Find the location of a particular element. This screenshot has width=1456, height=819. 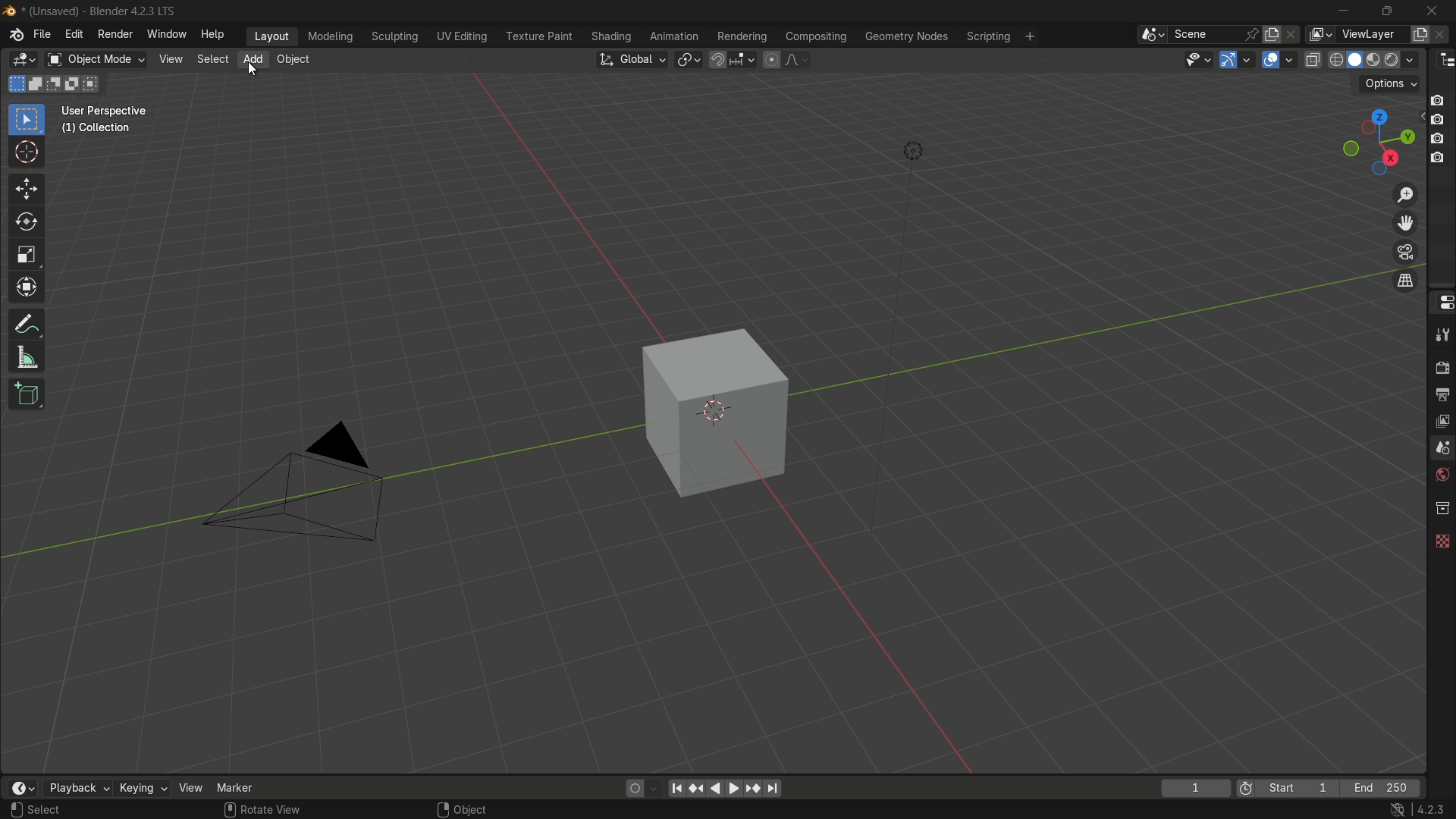

view is located at coordinates (188, 787).